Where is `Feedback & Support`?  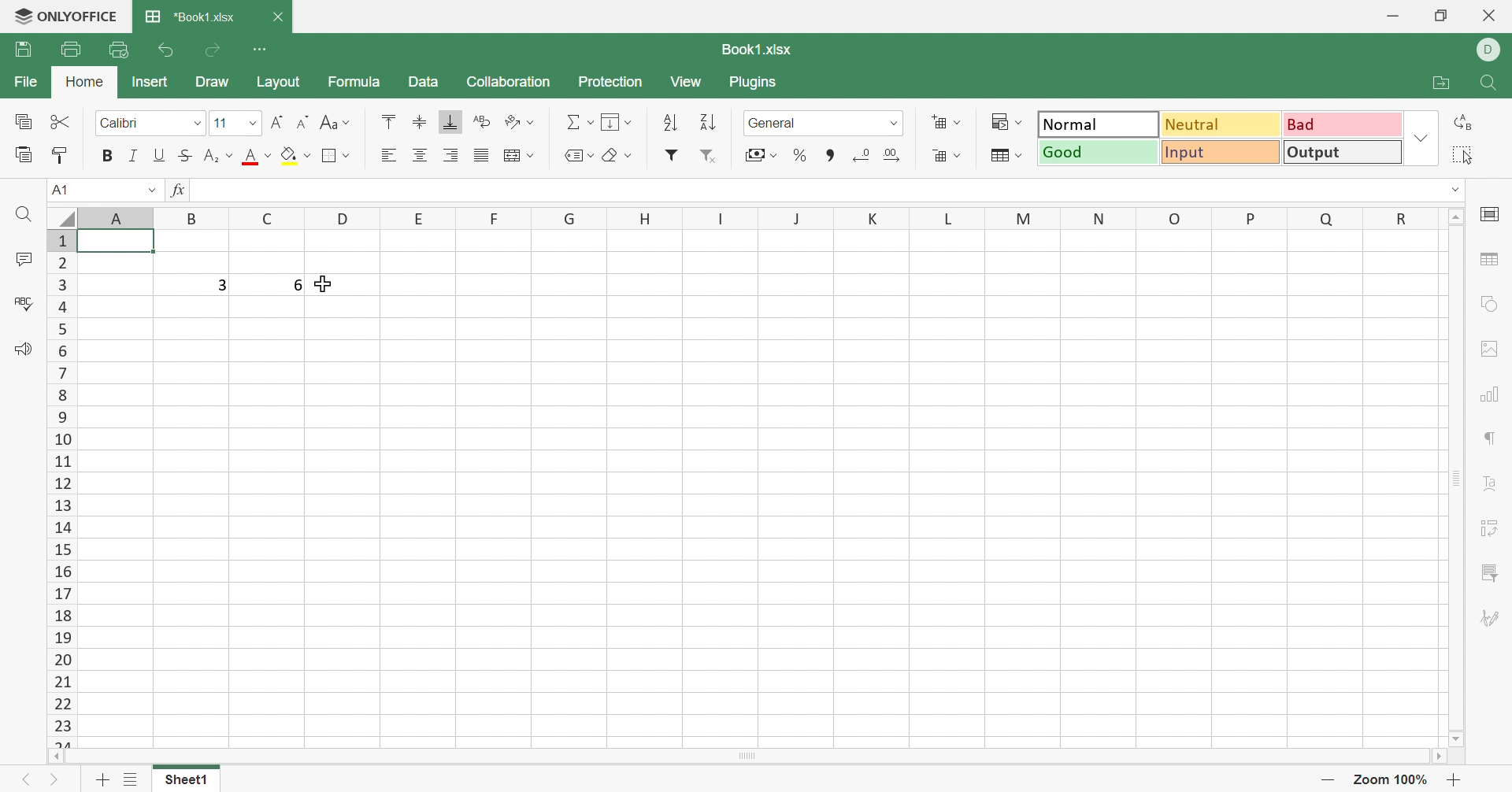
Feedback & Support is located at coordinates (24, 348).